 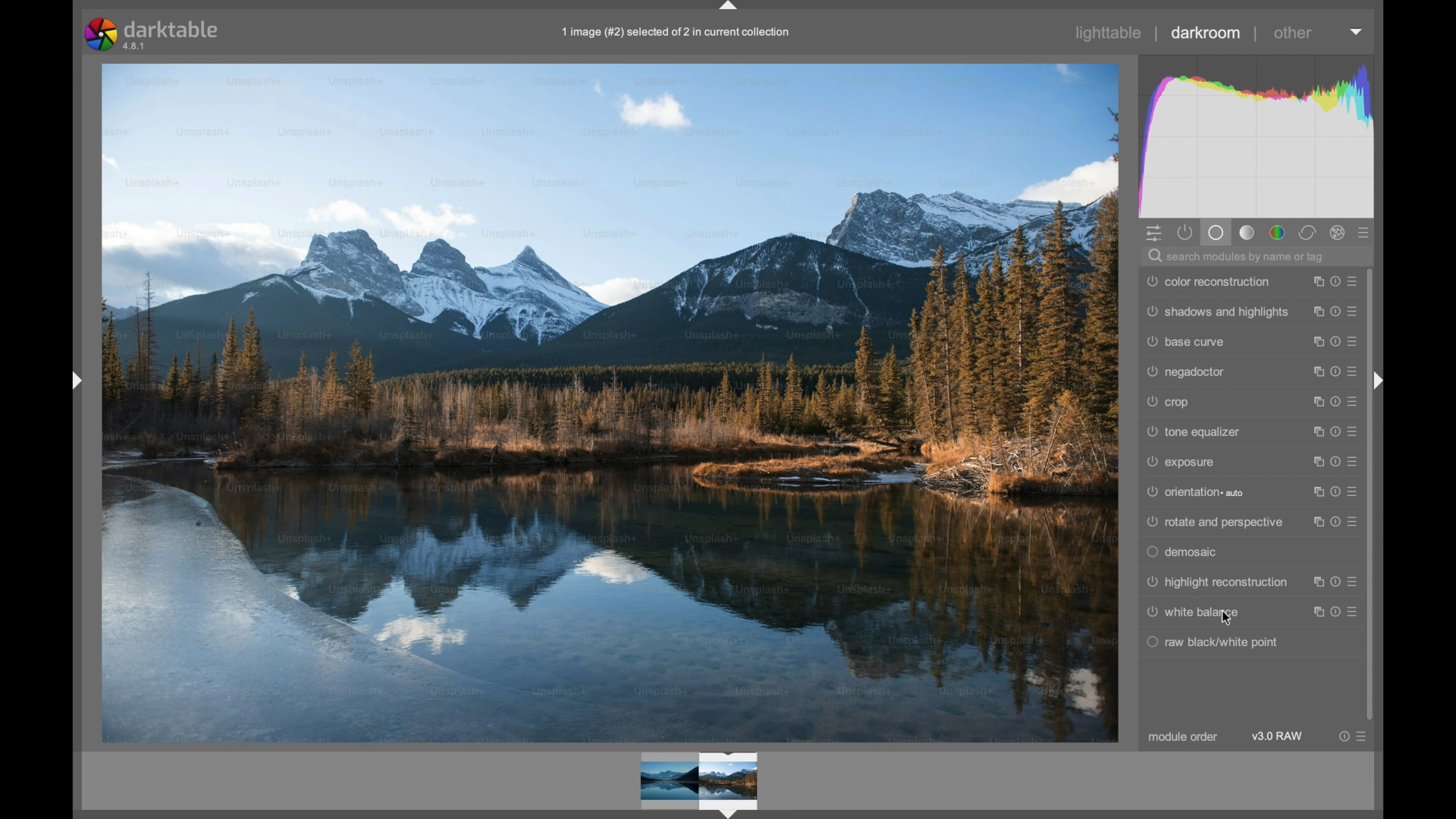 What do you see at coordinates (1356, 281) in the screenshot?
I see `presets` at bounding box center [1356, 281].